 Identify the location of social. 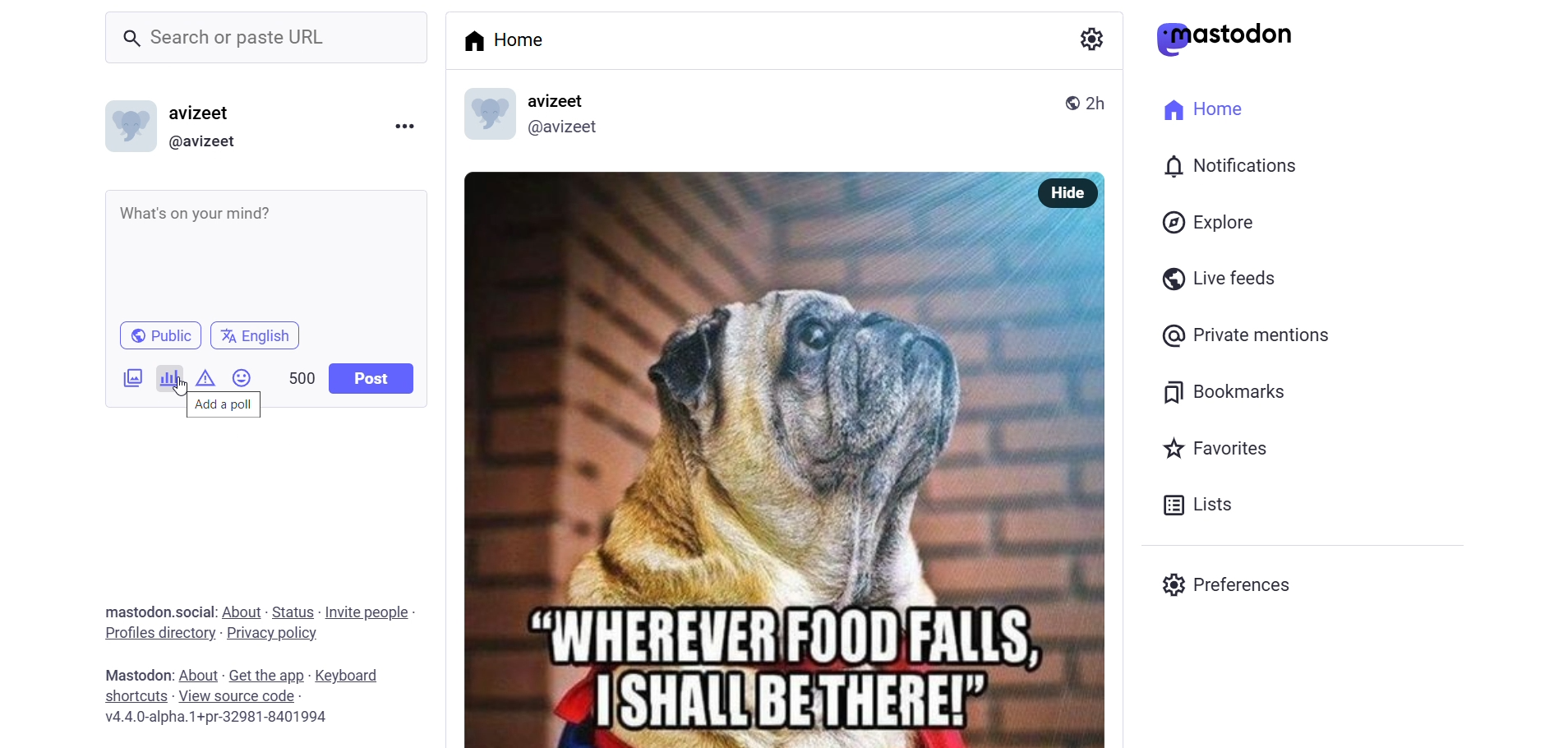
(192, 612).